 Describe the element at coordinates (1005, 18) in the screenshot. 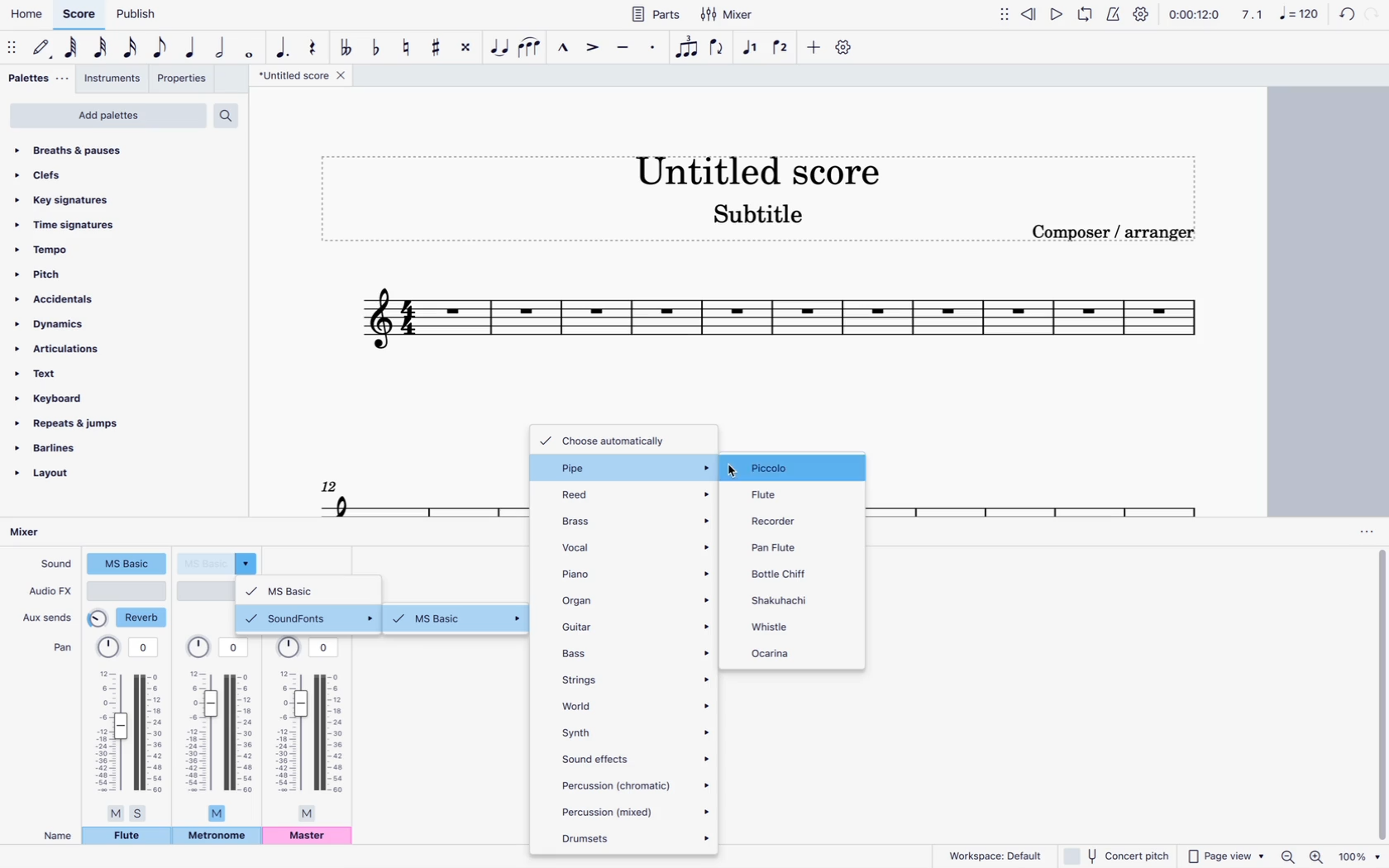

I see `move` at that location.